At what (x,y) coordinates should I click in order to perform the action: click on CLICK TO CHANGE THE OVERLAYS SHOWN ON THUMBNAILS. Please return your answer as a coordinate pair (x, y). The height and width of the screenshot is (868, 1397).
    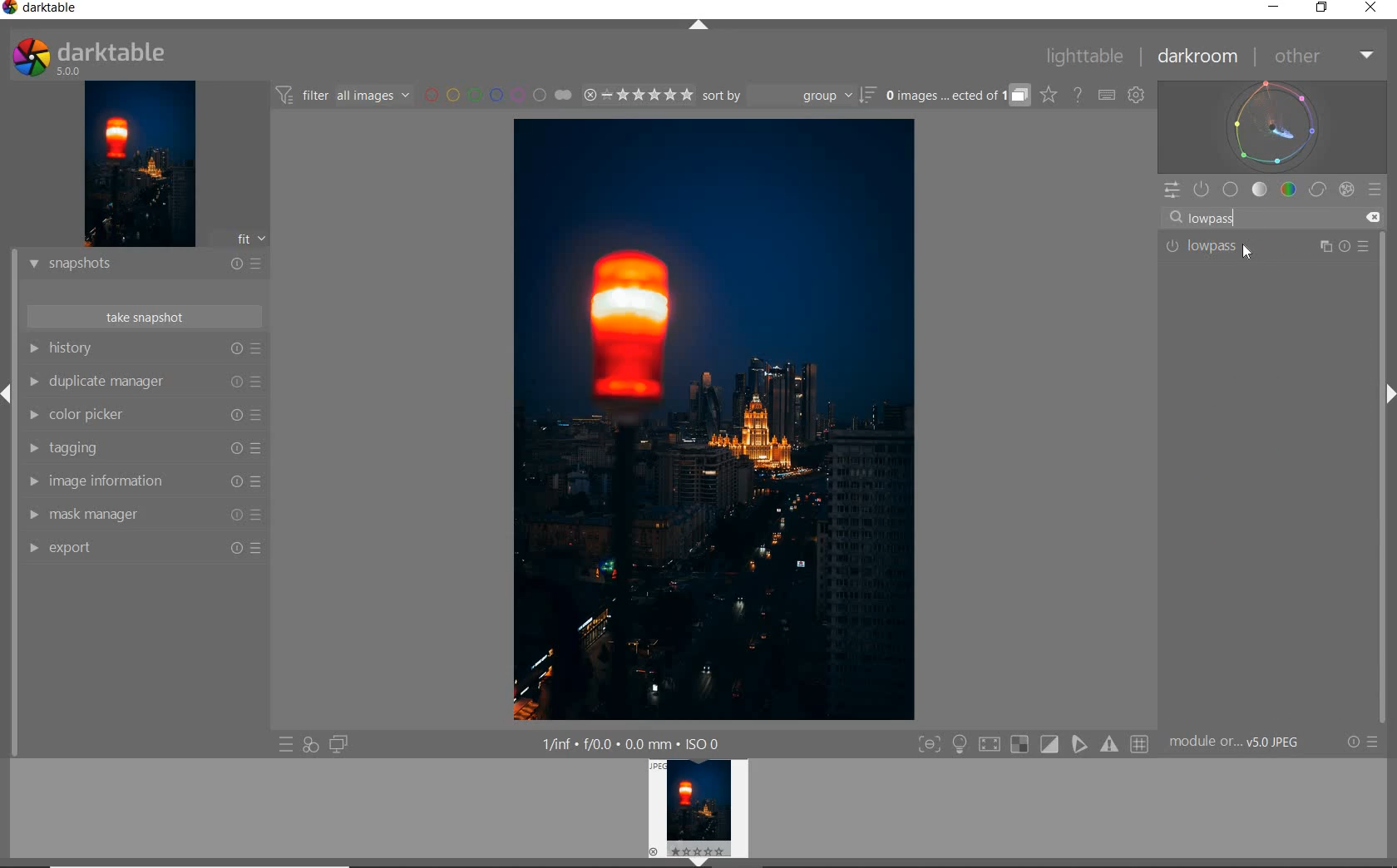
    Looking at the image, I should click on (1048, 96).